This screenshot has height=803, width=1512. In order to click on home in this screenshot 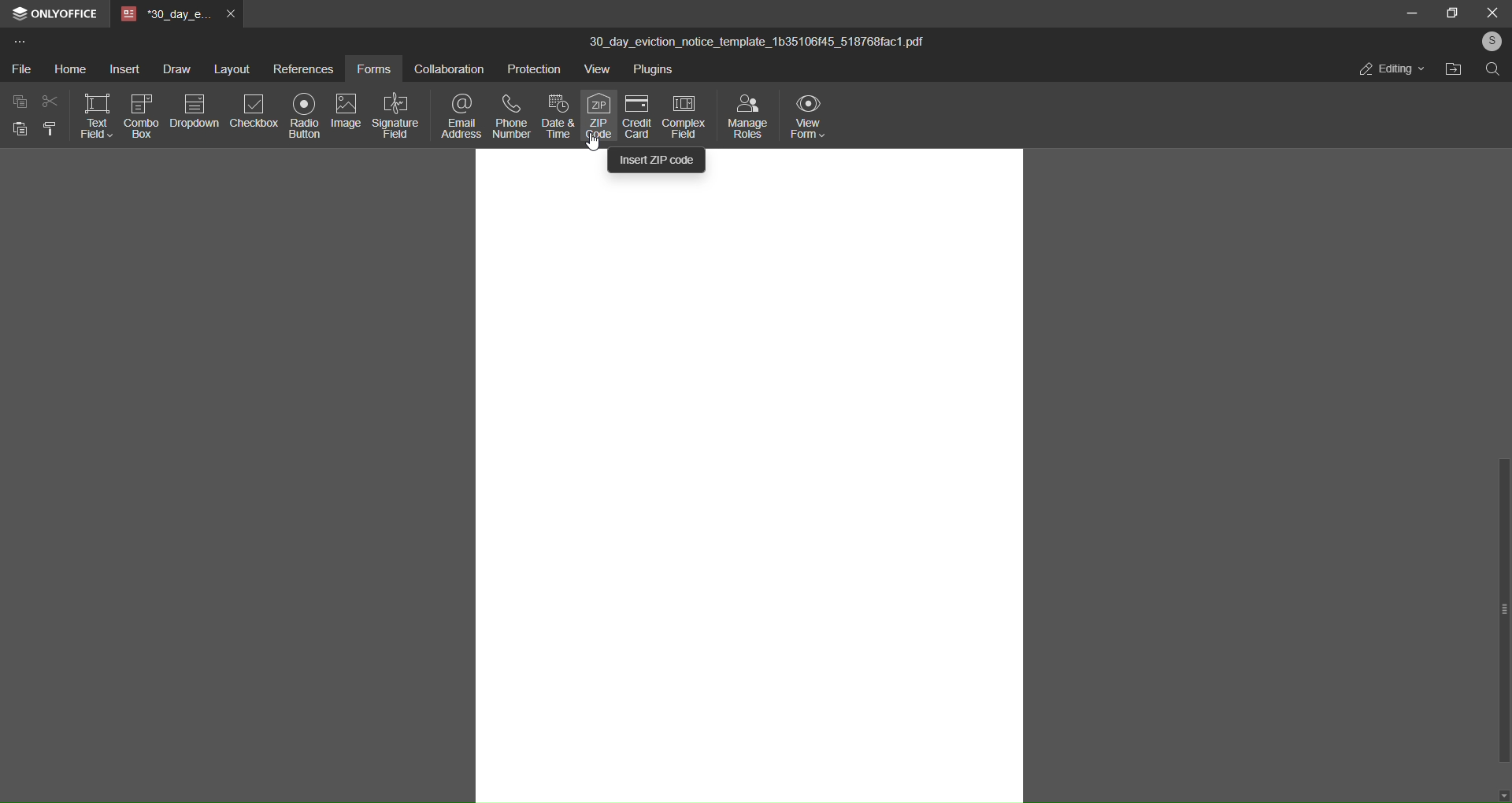, I will do `click(69, 70)`.